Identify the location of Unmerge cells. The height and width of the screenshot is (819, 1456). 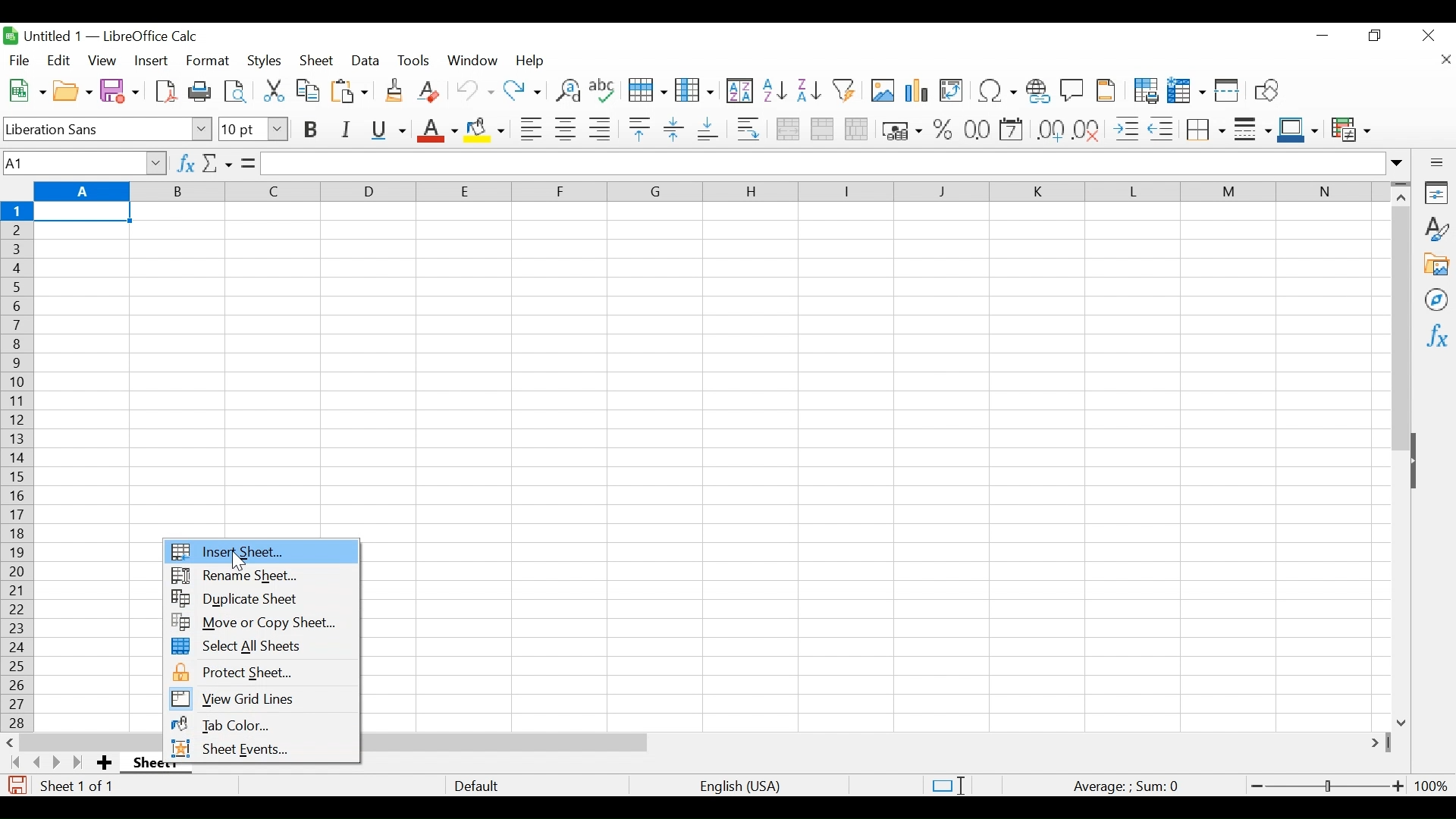
(857, 130).